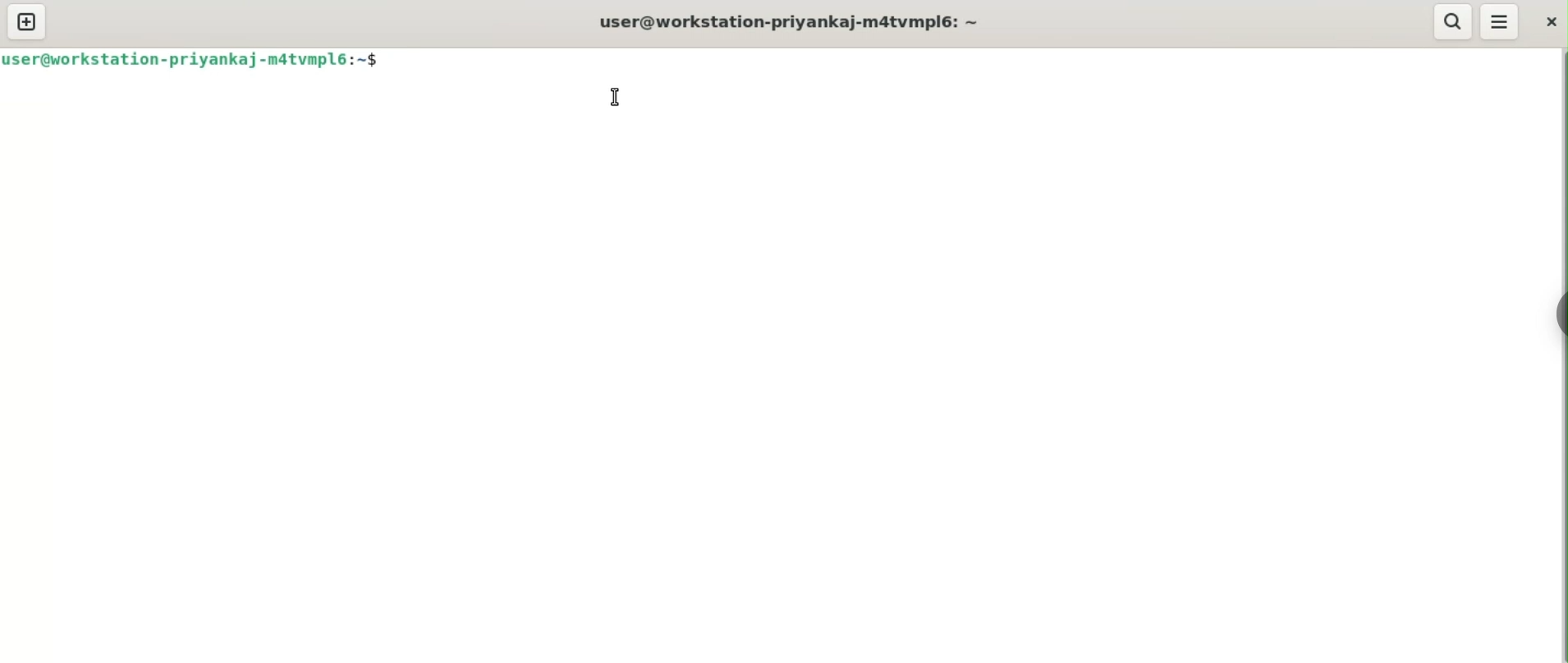  What do you see at coordinates (1452, 22) in the screenshot?
I see `search` at bounding box center [1452, 22].